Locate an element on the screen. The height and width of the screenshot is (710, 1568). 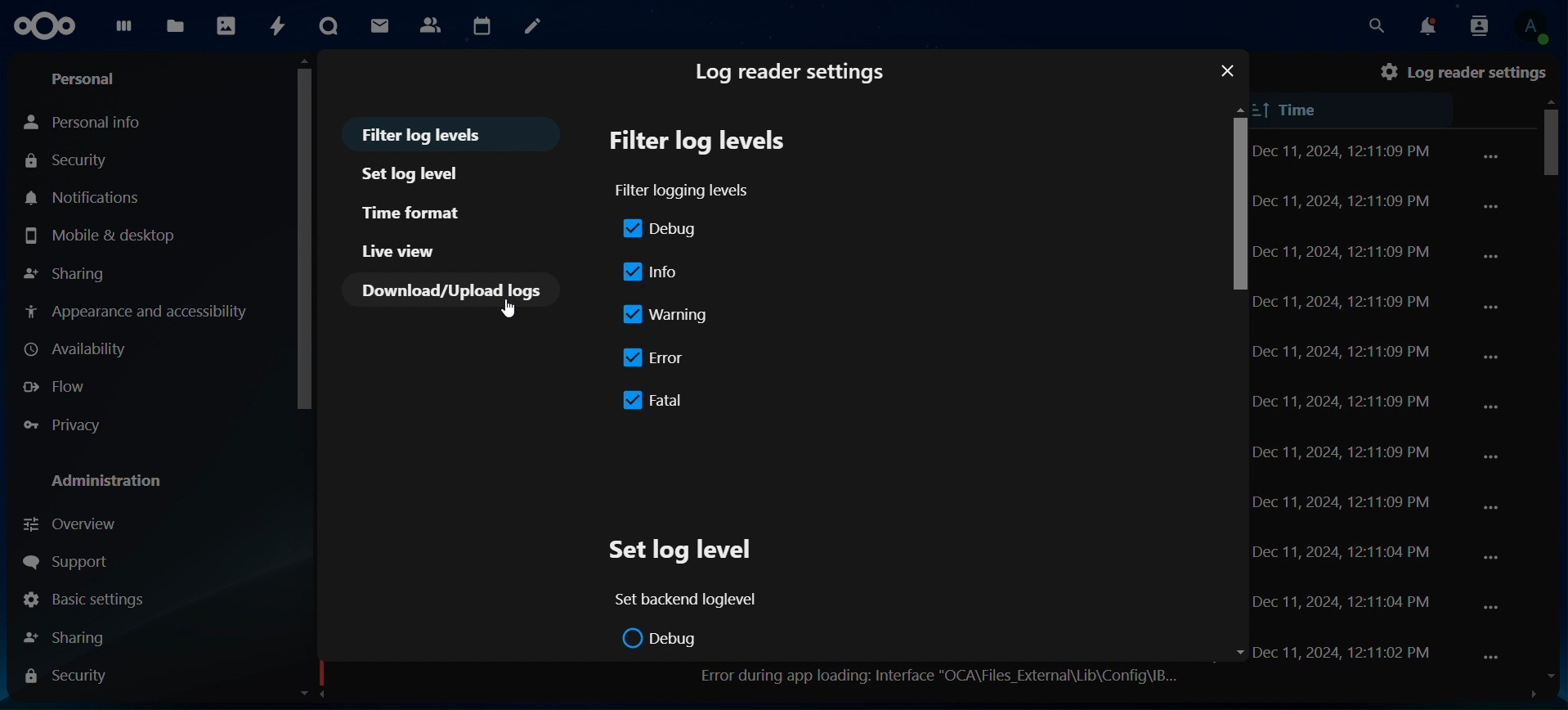
.. is located at coordinates (1491, 156).